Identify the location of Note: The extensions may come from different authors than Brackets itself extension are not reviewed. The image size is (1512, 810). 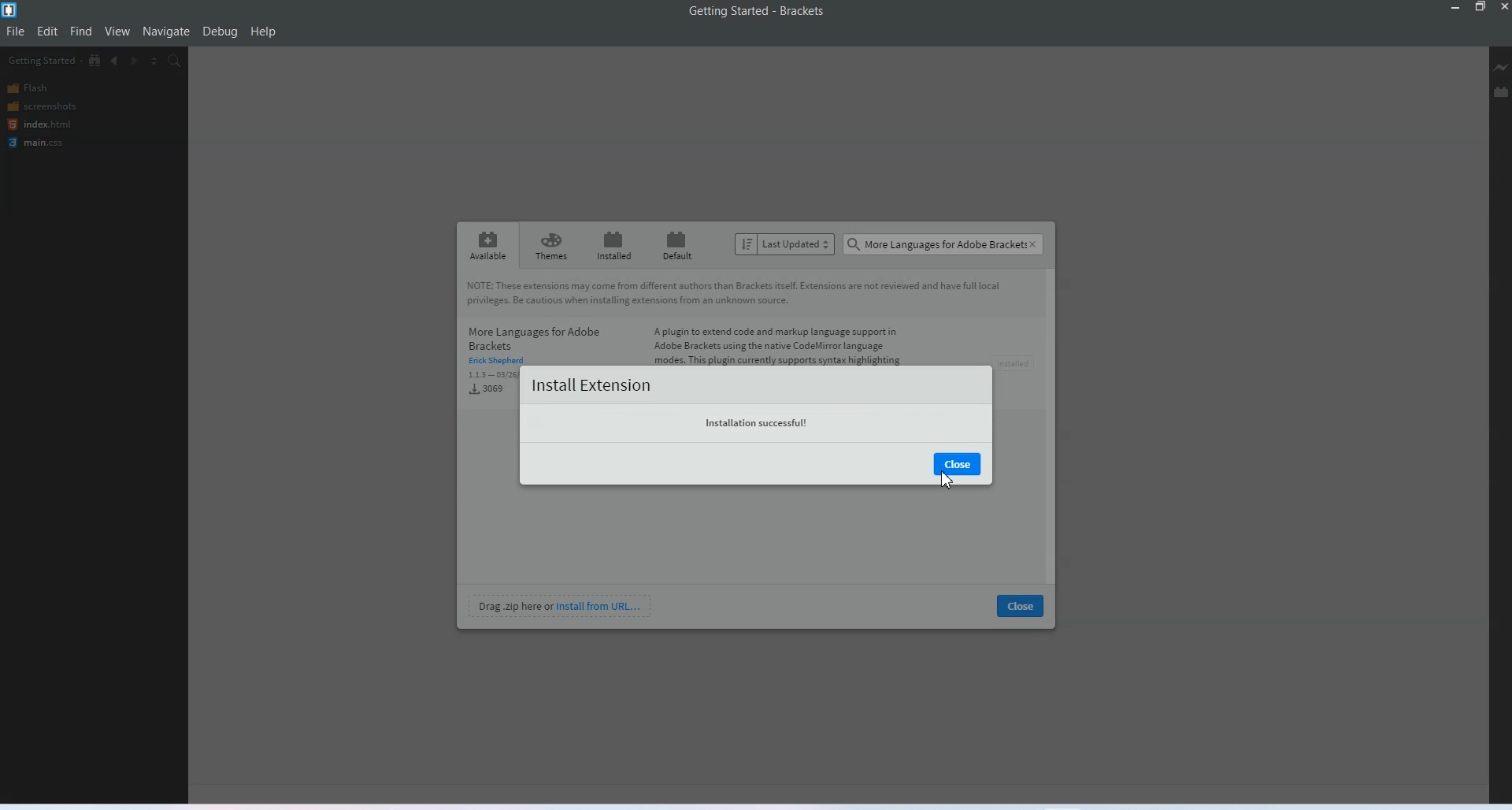
(739, 295).